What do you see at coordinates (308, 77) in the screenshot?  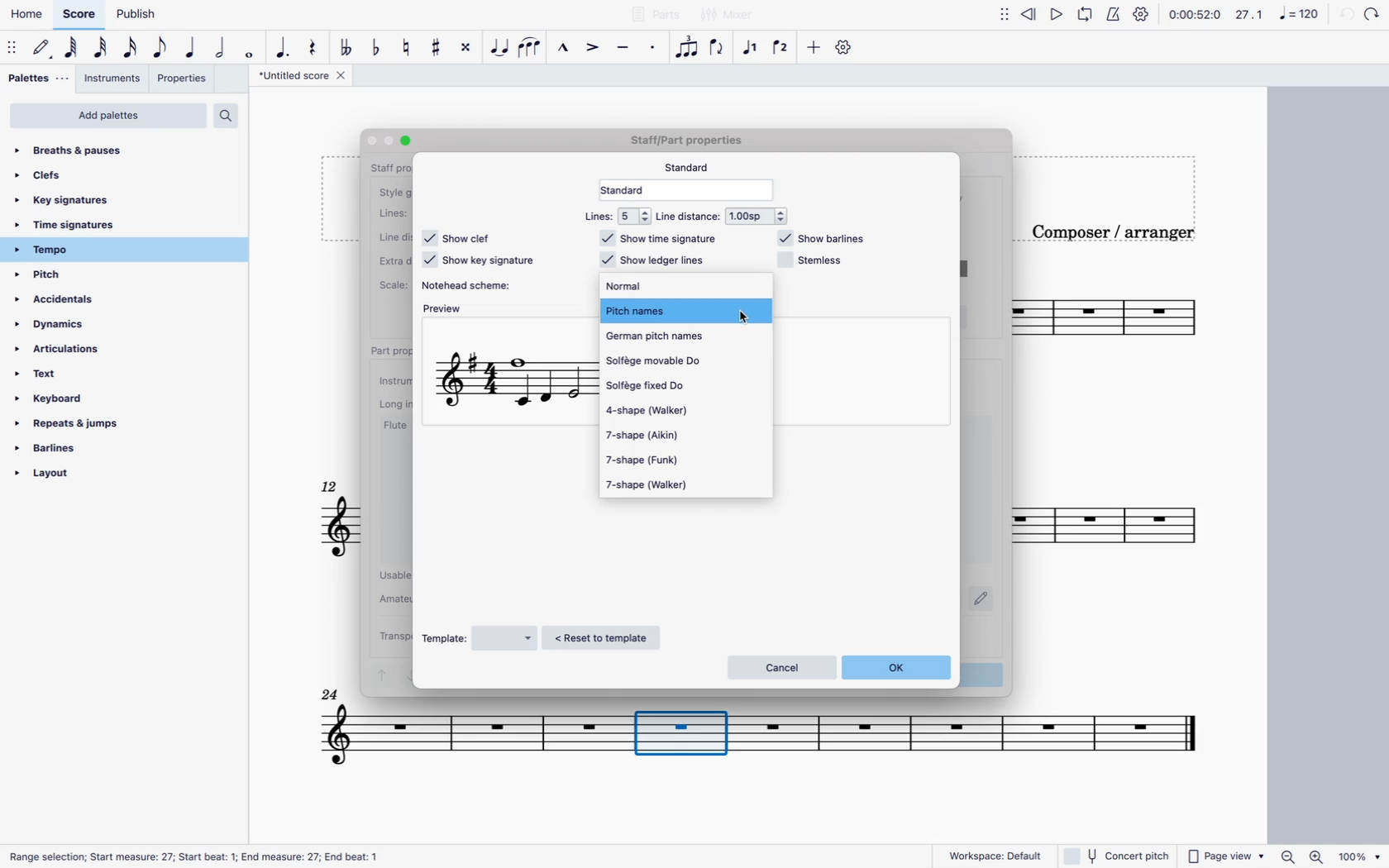 I see `score title` at bounding box center [308, 77].